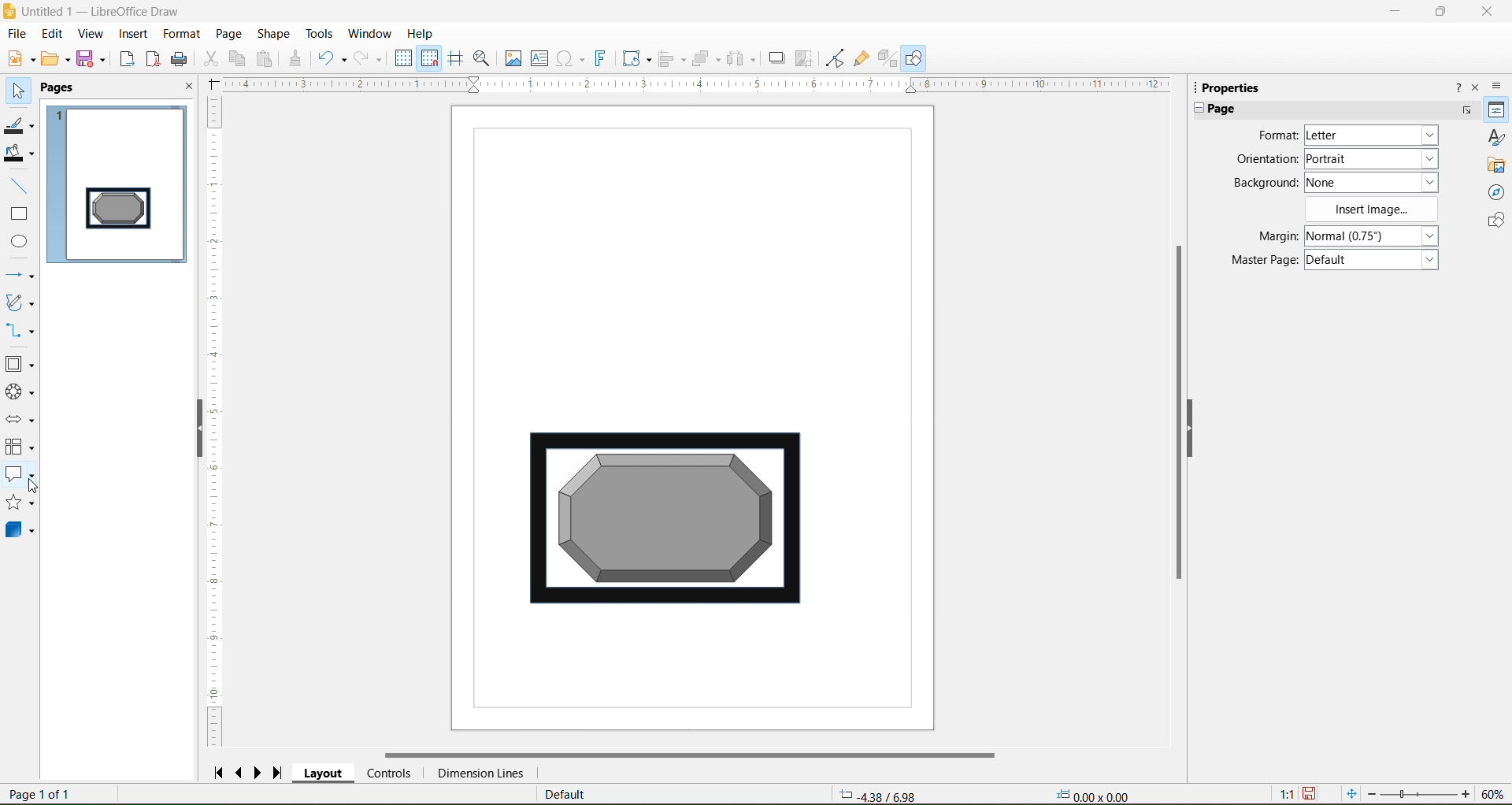 The width and height of the screenshot is (1512, 805). What do you see at coordinates (916, 57) in the screenshot?
I see `Show Draw Functions` at bounding box center [916, 57].